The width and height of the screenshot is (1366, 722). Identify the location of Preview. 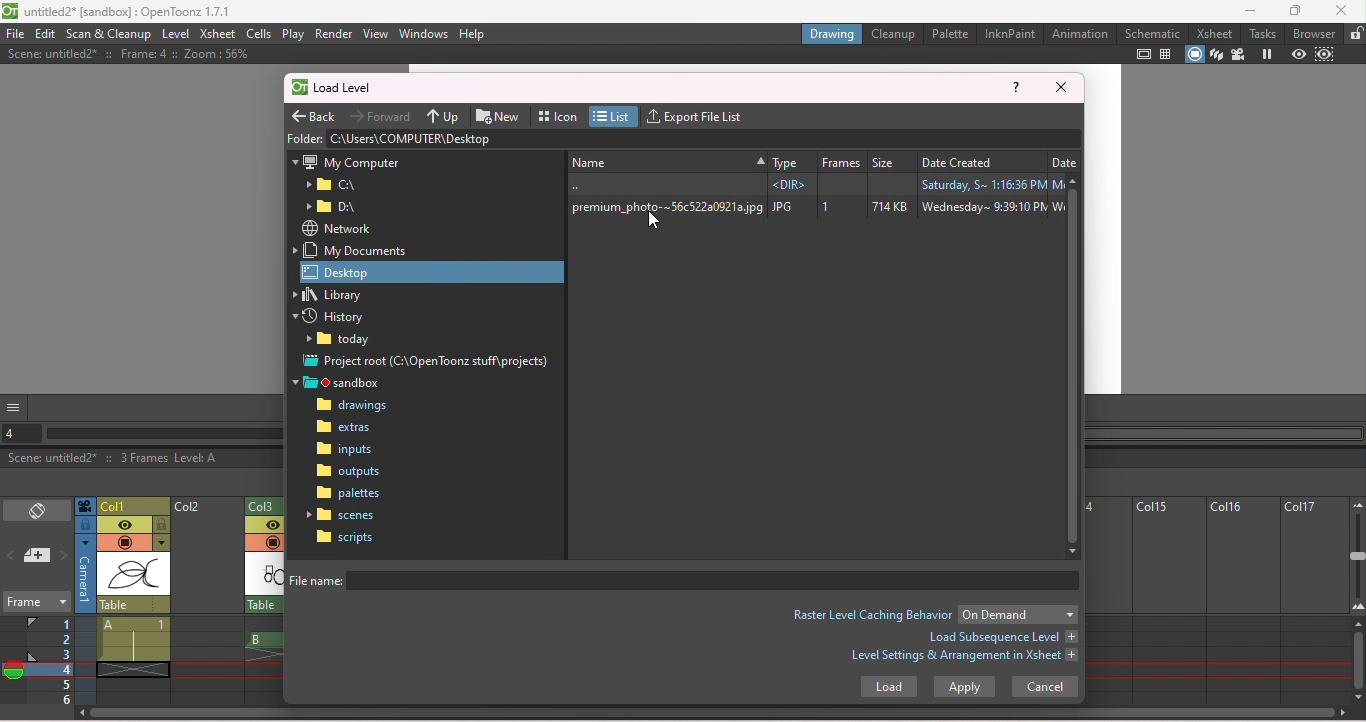
(1298, 55).